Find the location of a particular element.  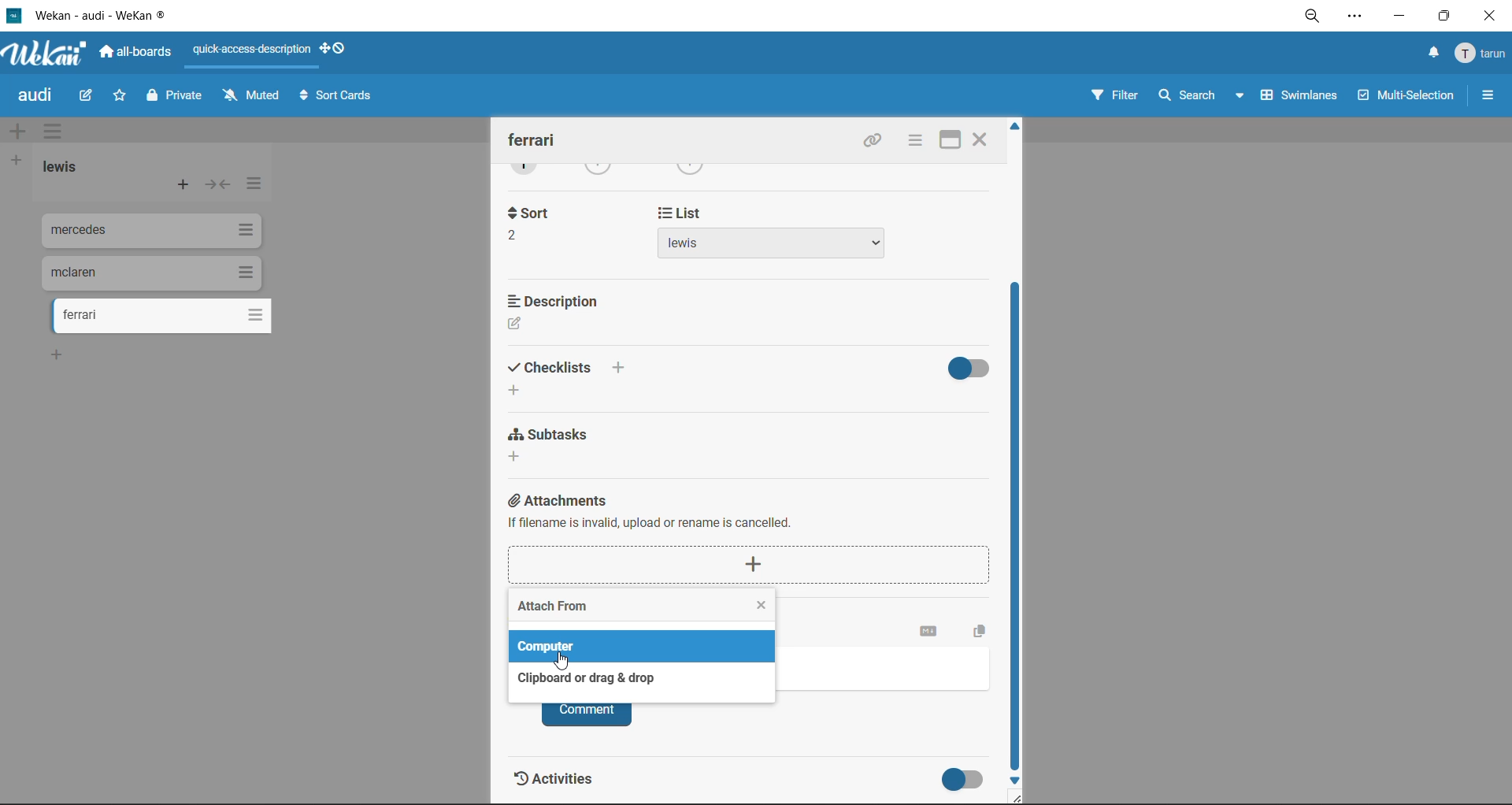

cursor is located at coordinates (563, 661).